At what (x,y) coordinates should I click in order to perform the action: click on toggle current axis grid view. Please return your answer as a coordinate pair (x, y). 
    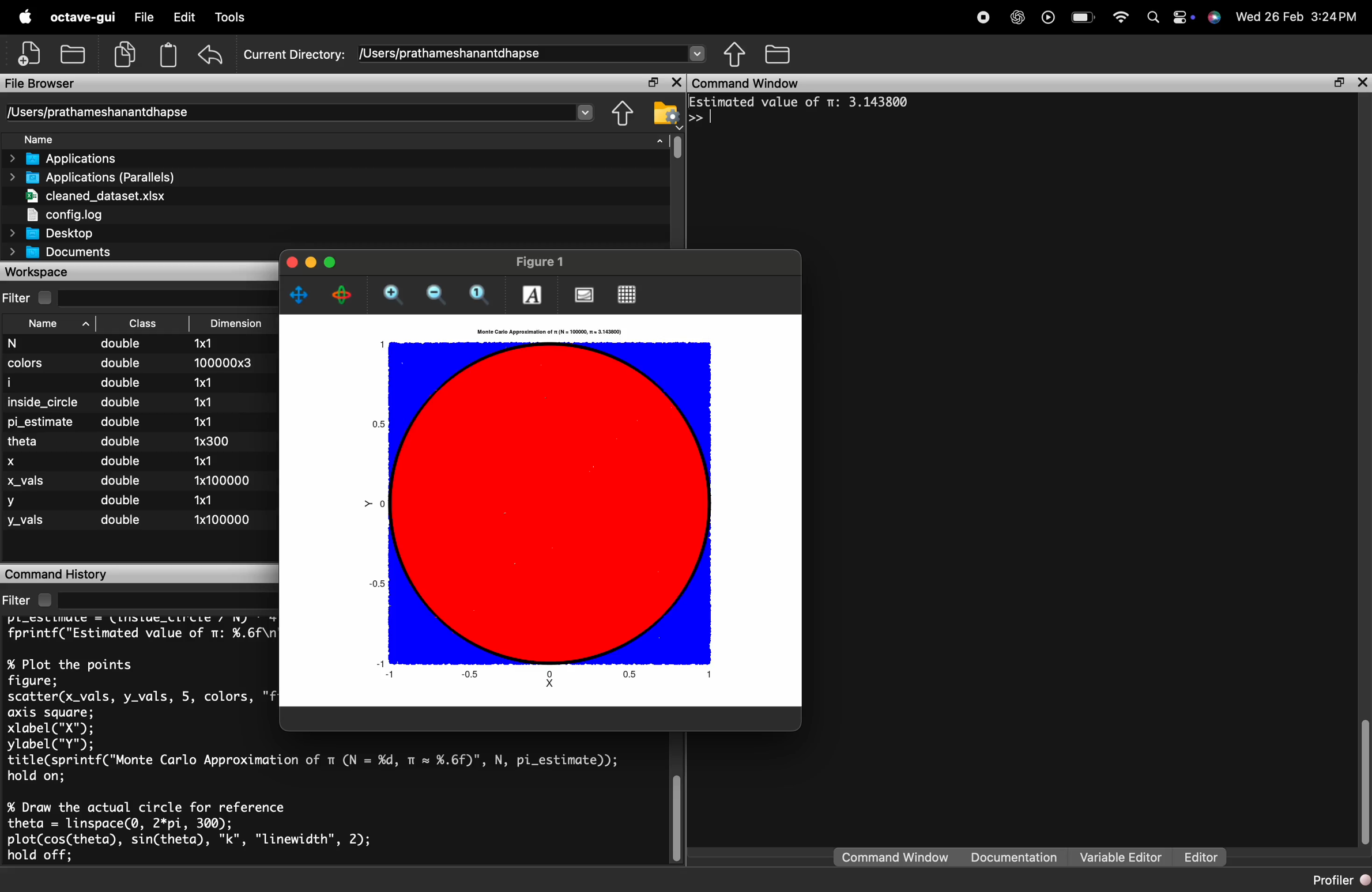
    Looking at the image, I should click on (628, 295).